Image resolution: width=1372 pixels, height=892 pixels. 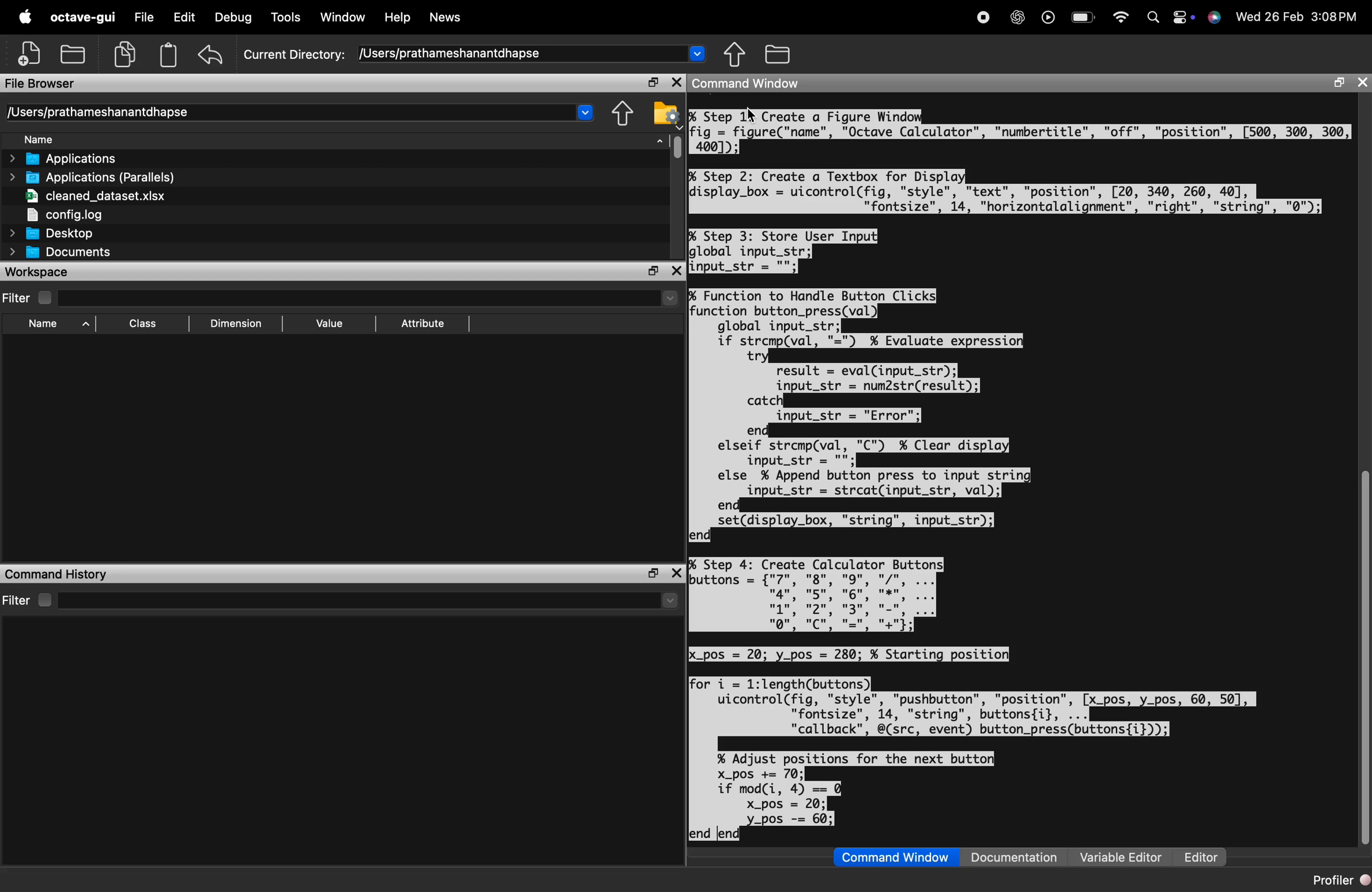 What do you see at coordinates (64, 157) in the screenshot?
I see `Applications` at bounding box center [64, 157].